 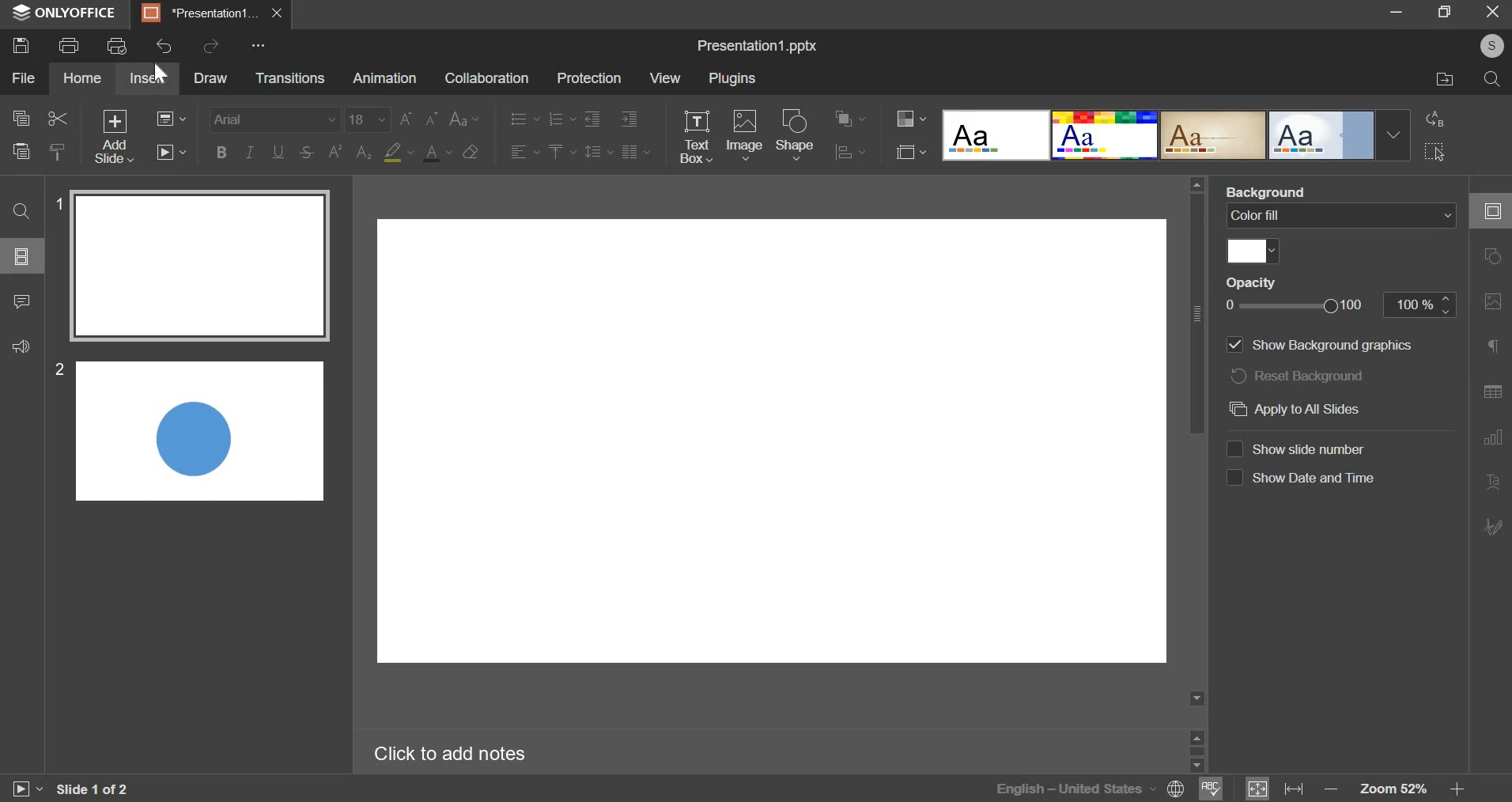 I want to click on Scrollbar, so click(x=1199, y=751).